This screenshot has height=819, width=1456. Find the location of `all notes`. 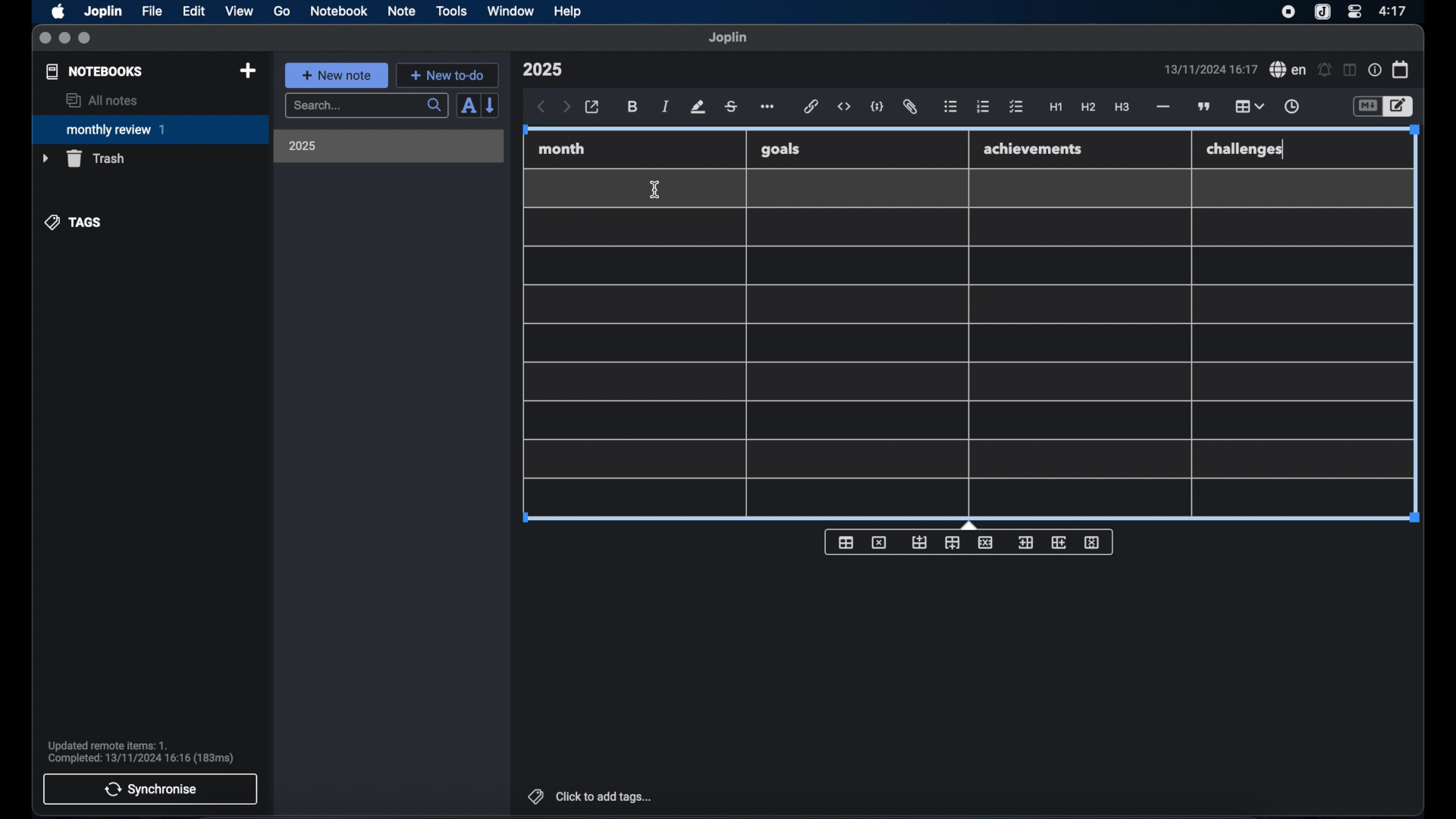

all notes is located at coordinates (102, 100).